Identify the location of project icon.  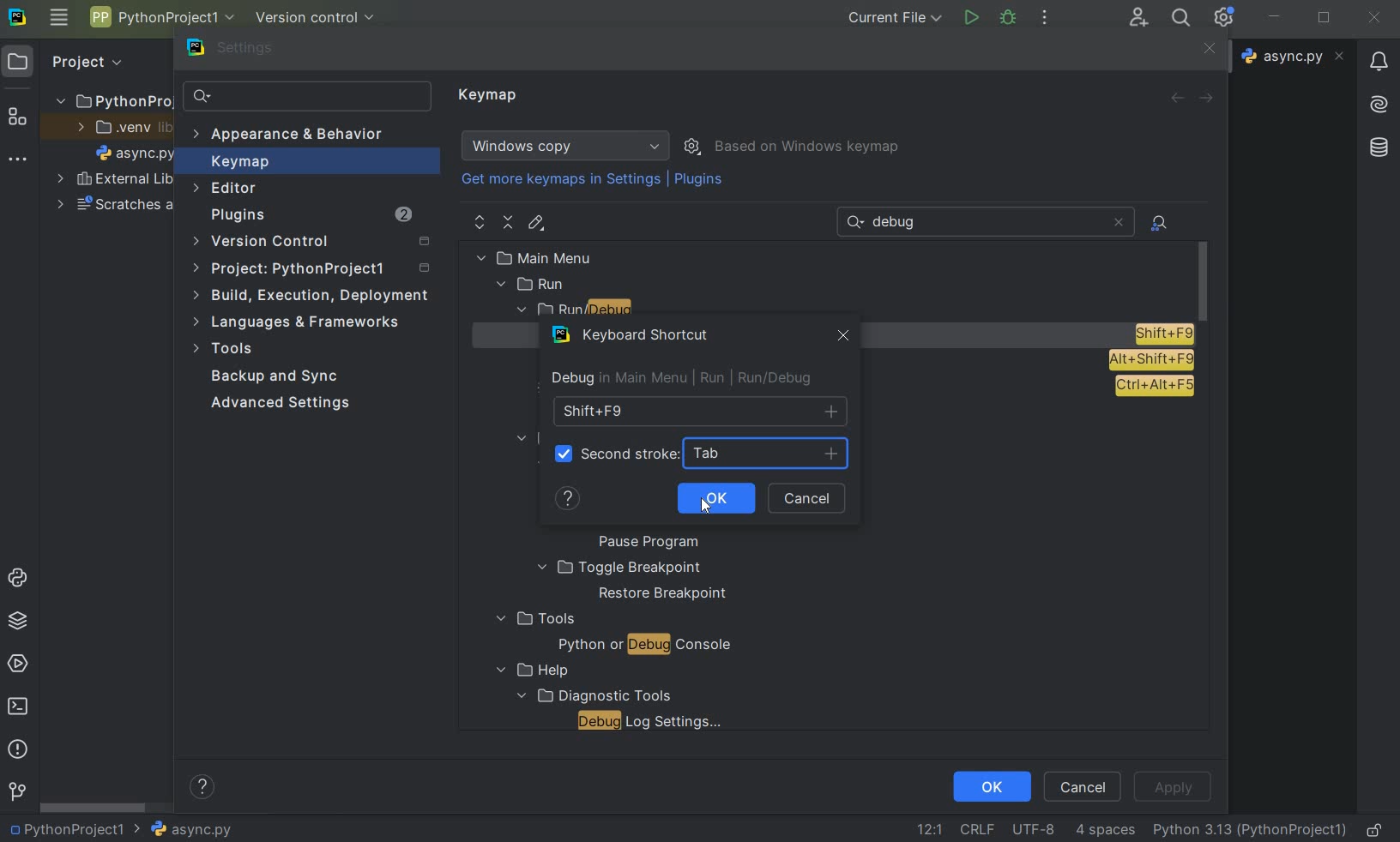
(18, 60).